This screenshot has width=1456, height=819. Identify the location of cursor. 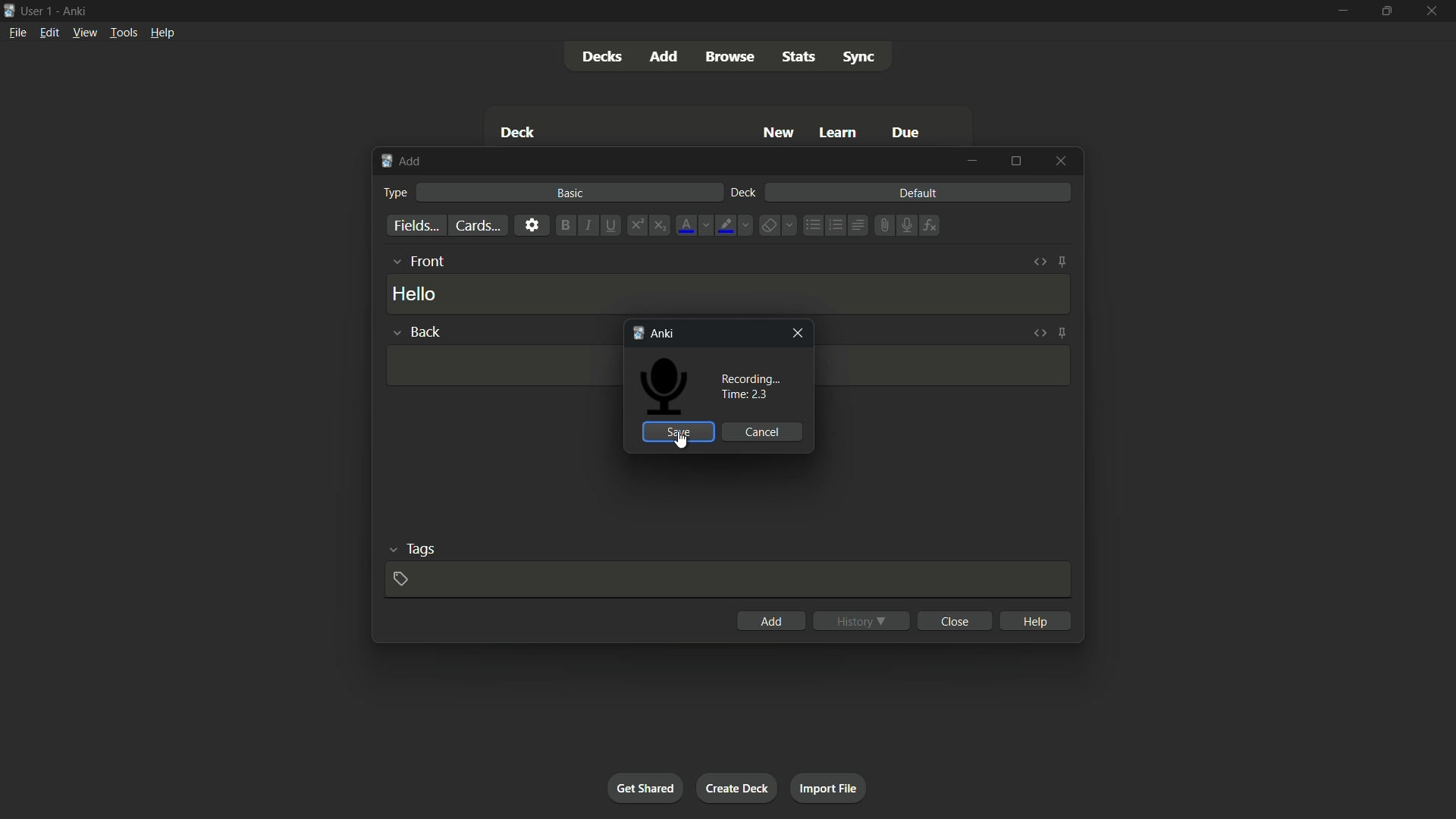
(685, 441).